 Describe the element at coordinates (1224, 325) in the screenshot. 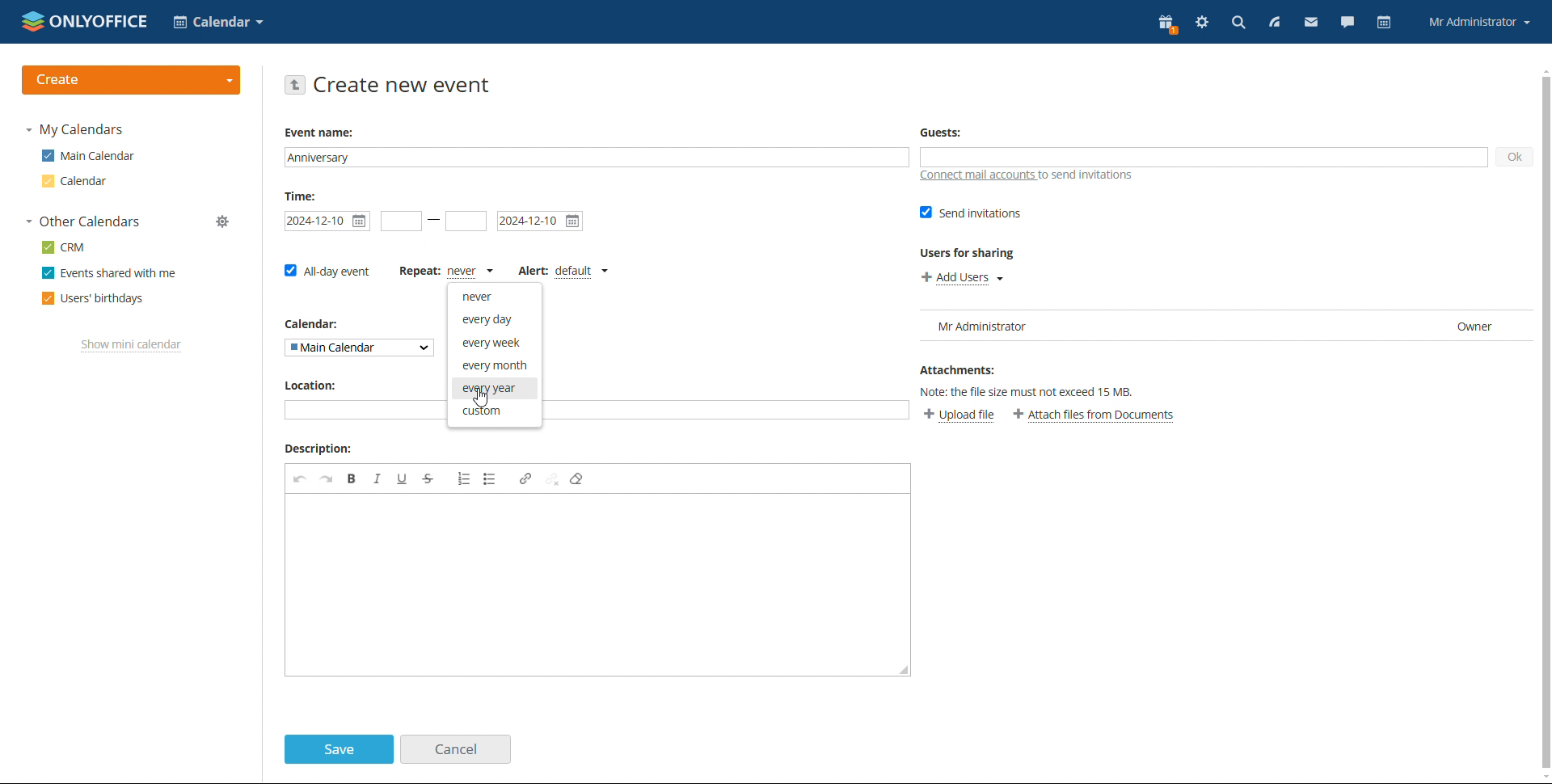

I see `user list` at that location.